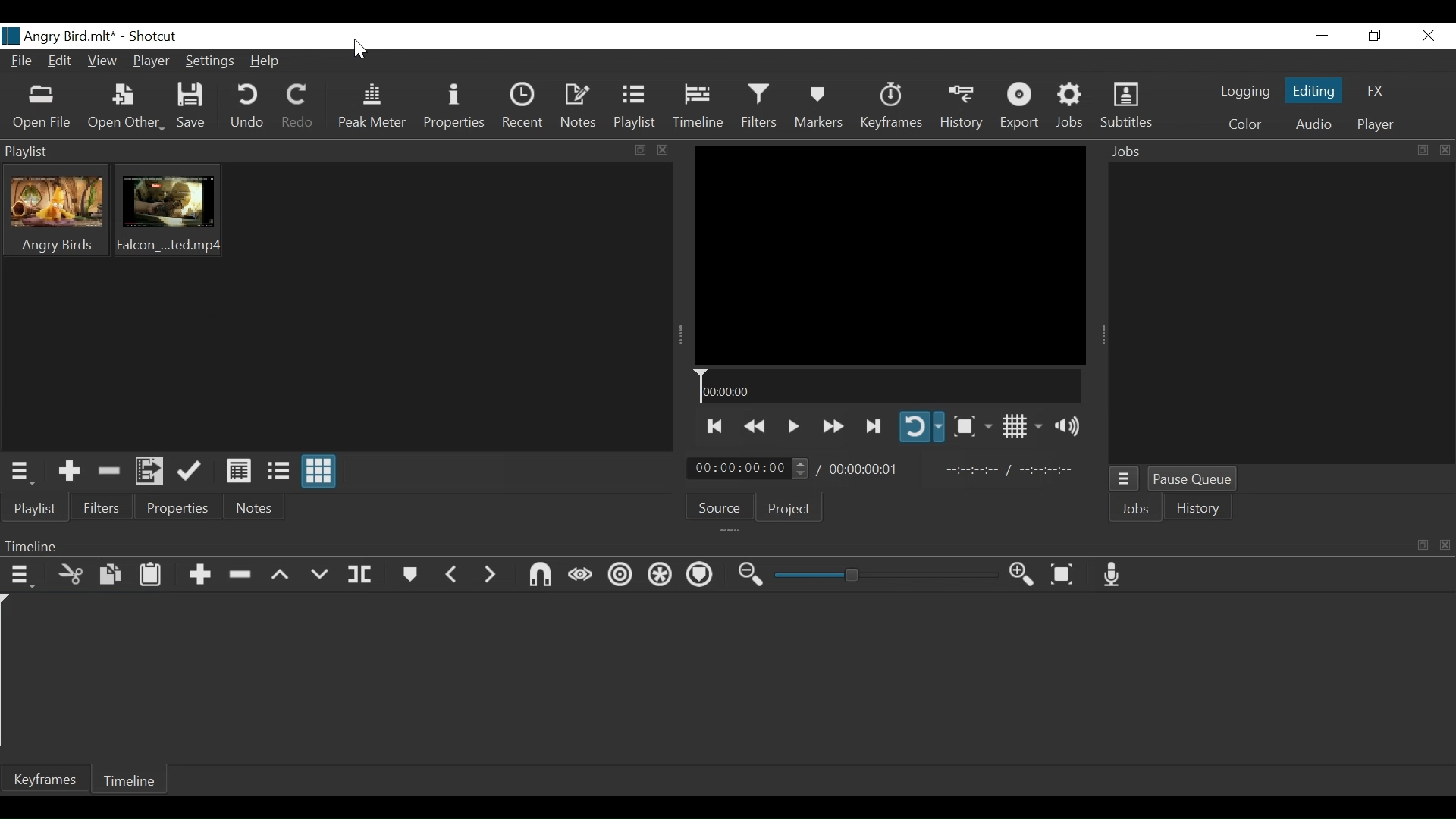 The width and height of the screenshot is (1456, 819). I want to click on Playlist menu, so click(18, 472).